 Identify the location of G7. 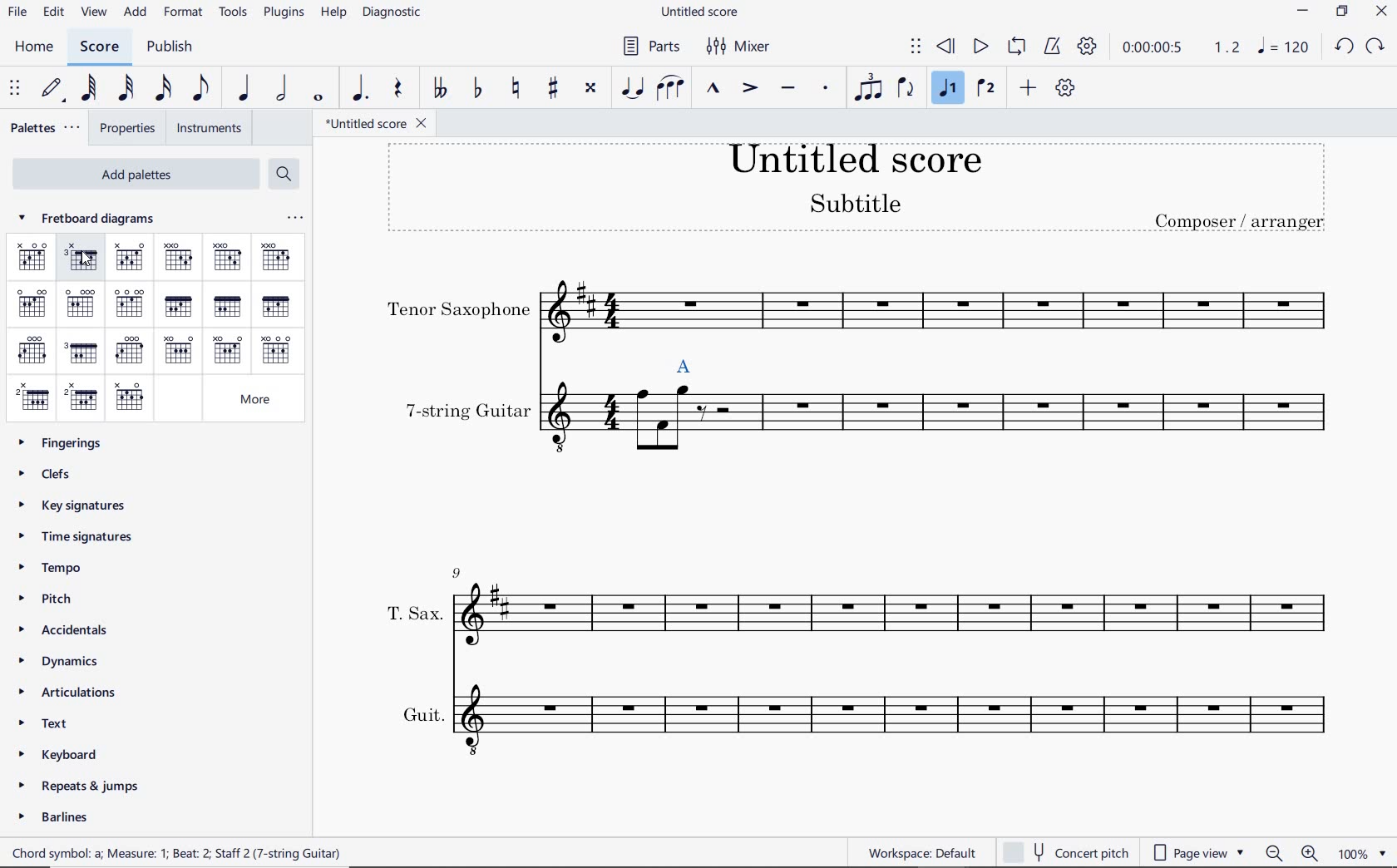
(131, 349).